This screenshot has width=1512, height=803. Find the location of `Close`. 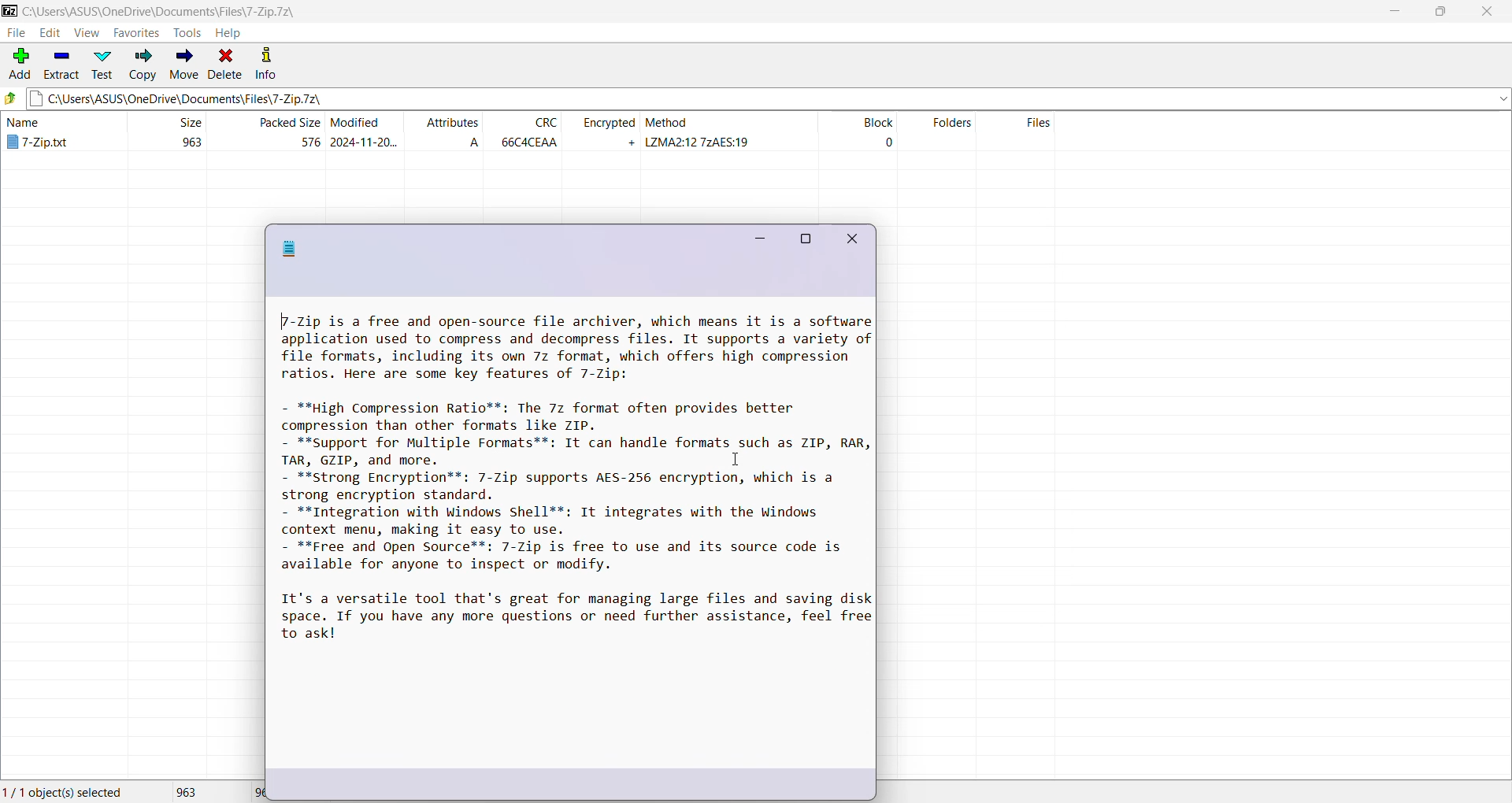

Close is located at coordinates (1489, 12).